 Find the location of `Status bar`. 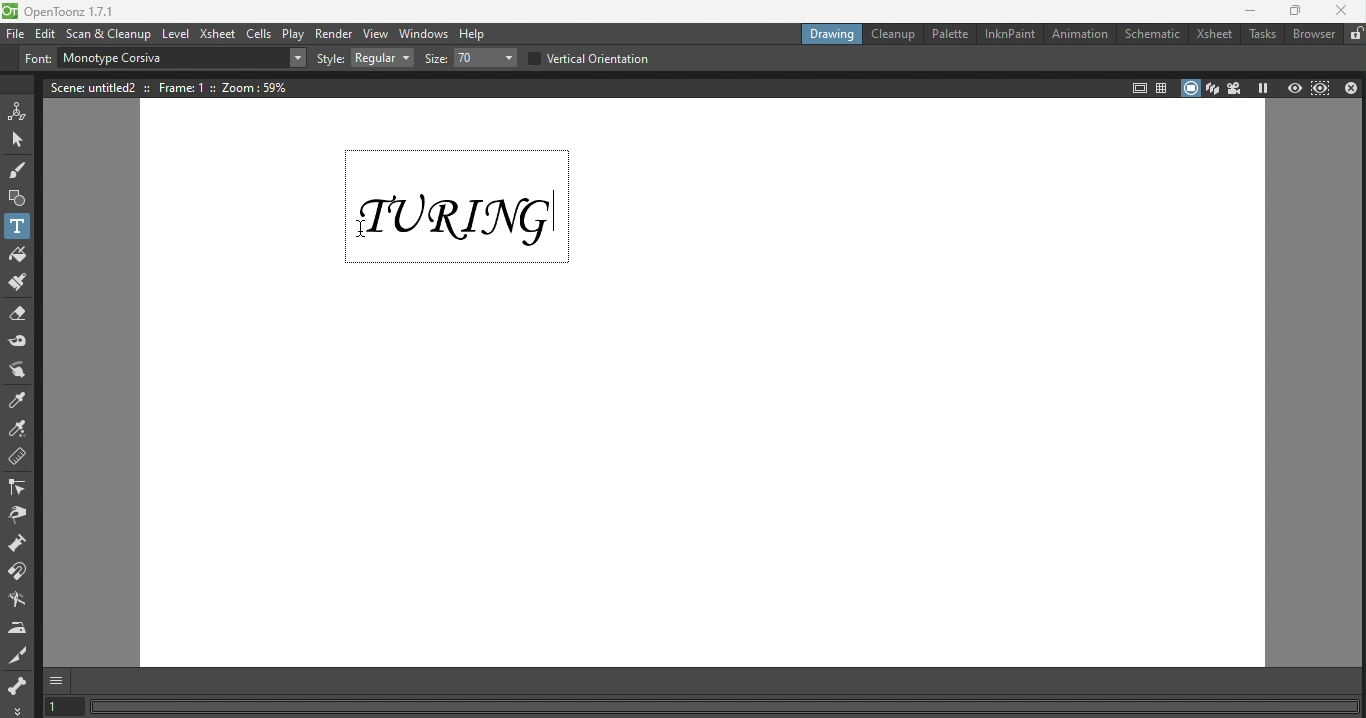

Status bar is located at coordinates (721, 706).